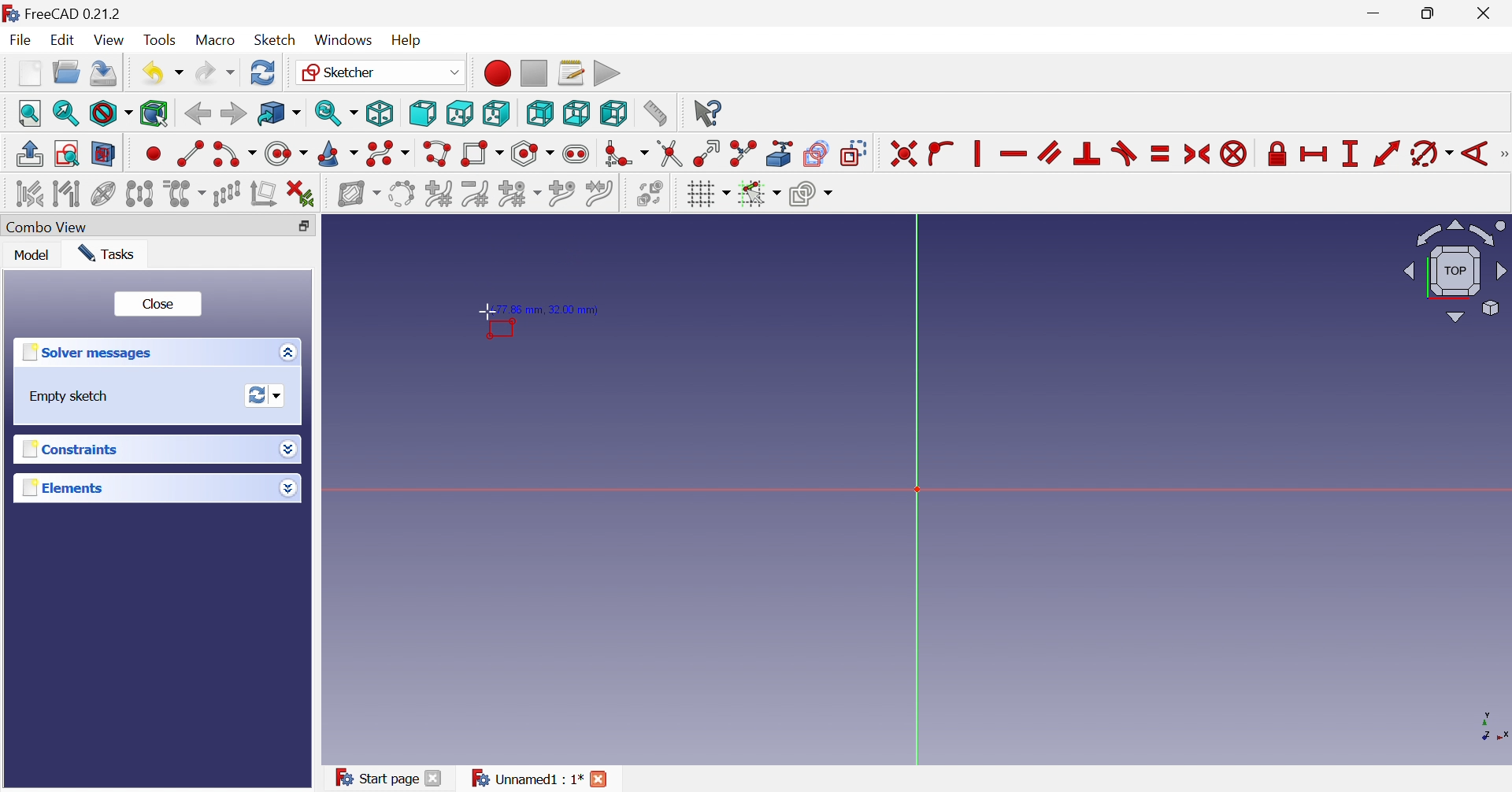 This screenshot has width=1512, height=792. What do you see at coordinates (436, 154) in the screenshot?
I see `Create polyline` at bounding box center [436, 154].